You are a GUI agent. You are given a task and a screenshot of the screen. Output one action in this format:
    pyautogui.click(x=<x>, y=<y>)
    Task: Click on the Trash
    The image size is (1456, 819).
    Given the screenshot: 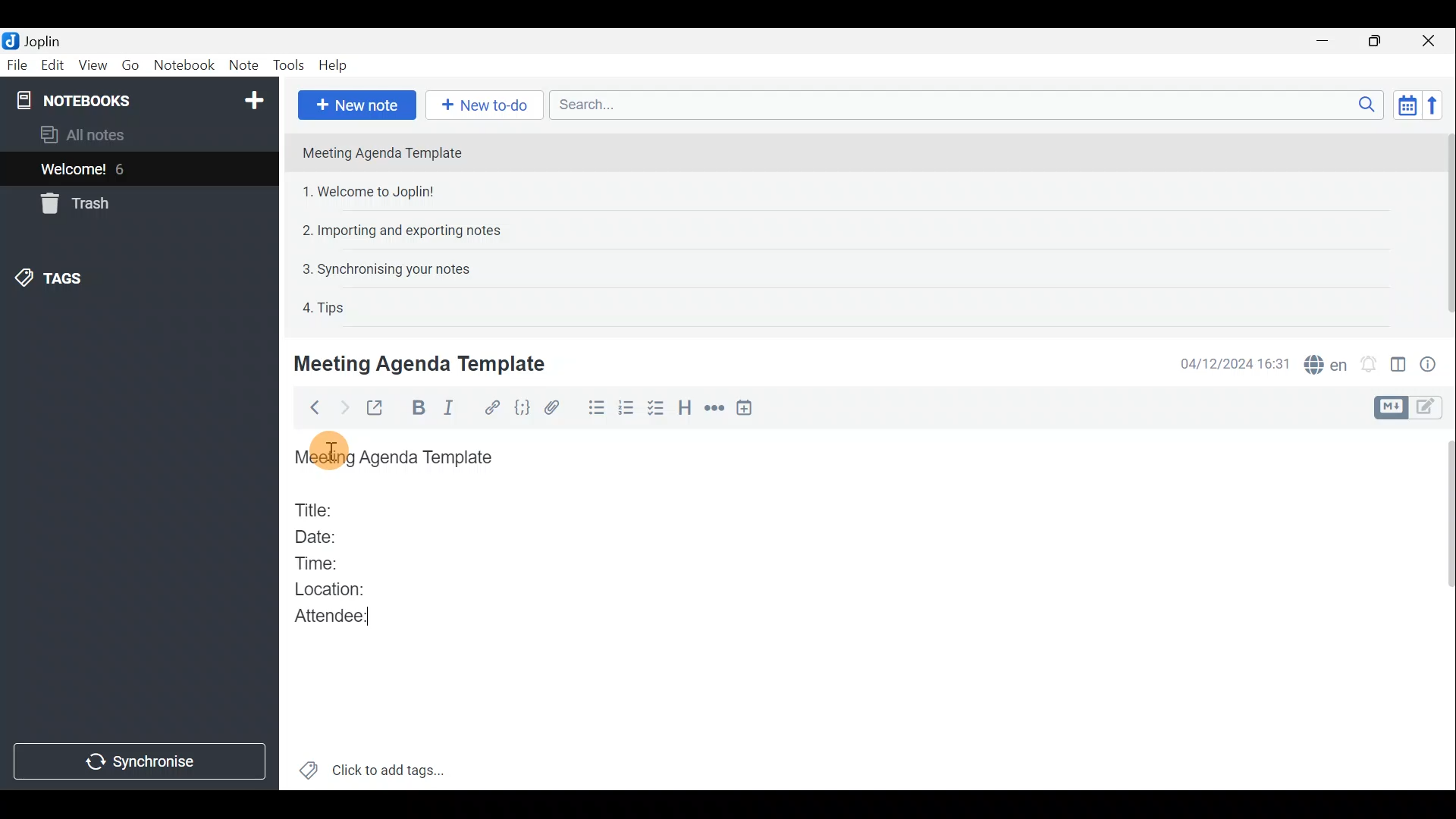 What is the action you would take?
    pyautogui.click(x=72, y=203)
    